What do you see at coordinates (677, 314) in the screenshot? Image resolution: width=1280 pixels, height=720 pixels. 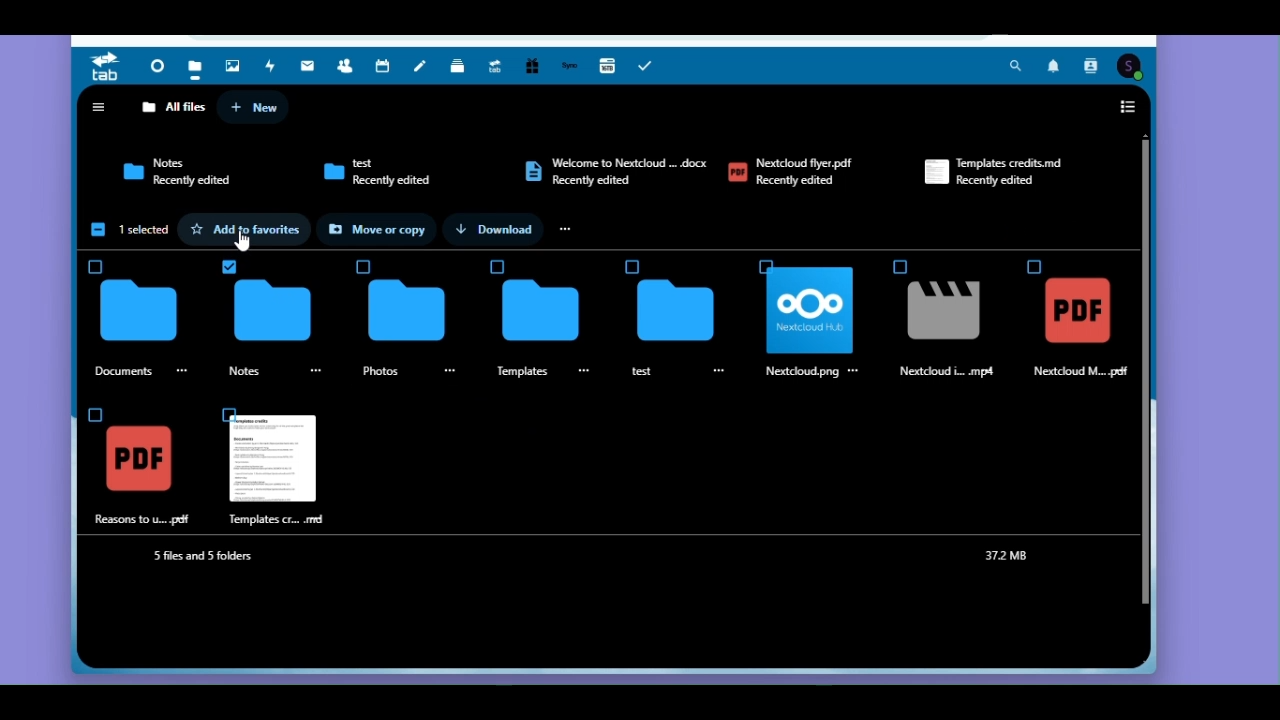 I see `Icon` at bounding box center [677, 314].